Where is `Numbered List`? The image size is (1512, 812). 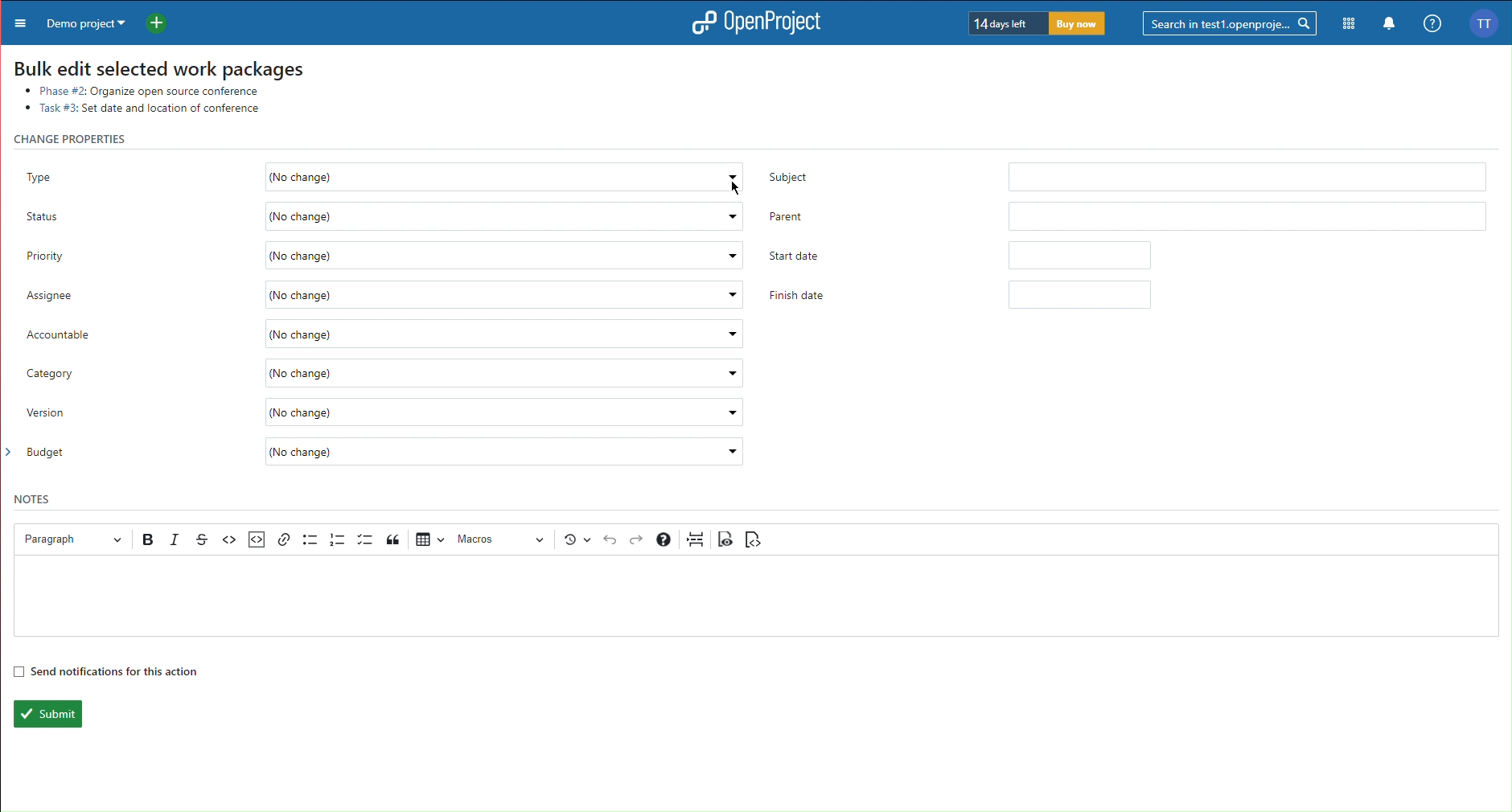
Numbered List is located at coordinates (338, 539).